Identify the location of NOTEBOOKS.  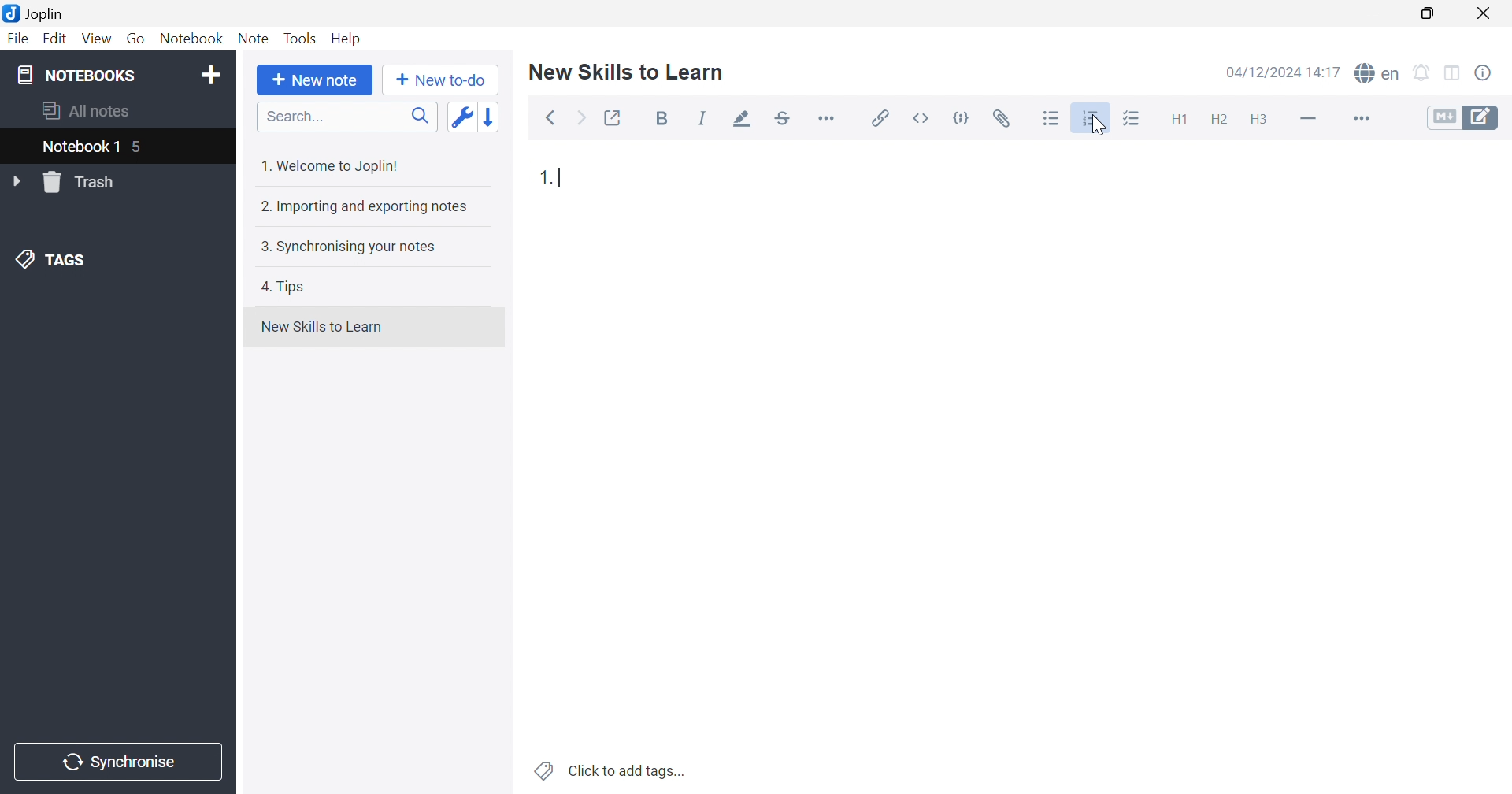
(75, 74).